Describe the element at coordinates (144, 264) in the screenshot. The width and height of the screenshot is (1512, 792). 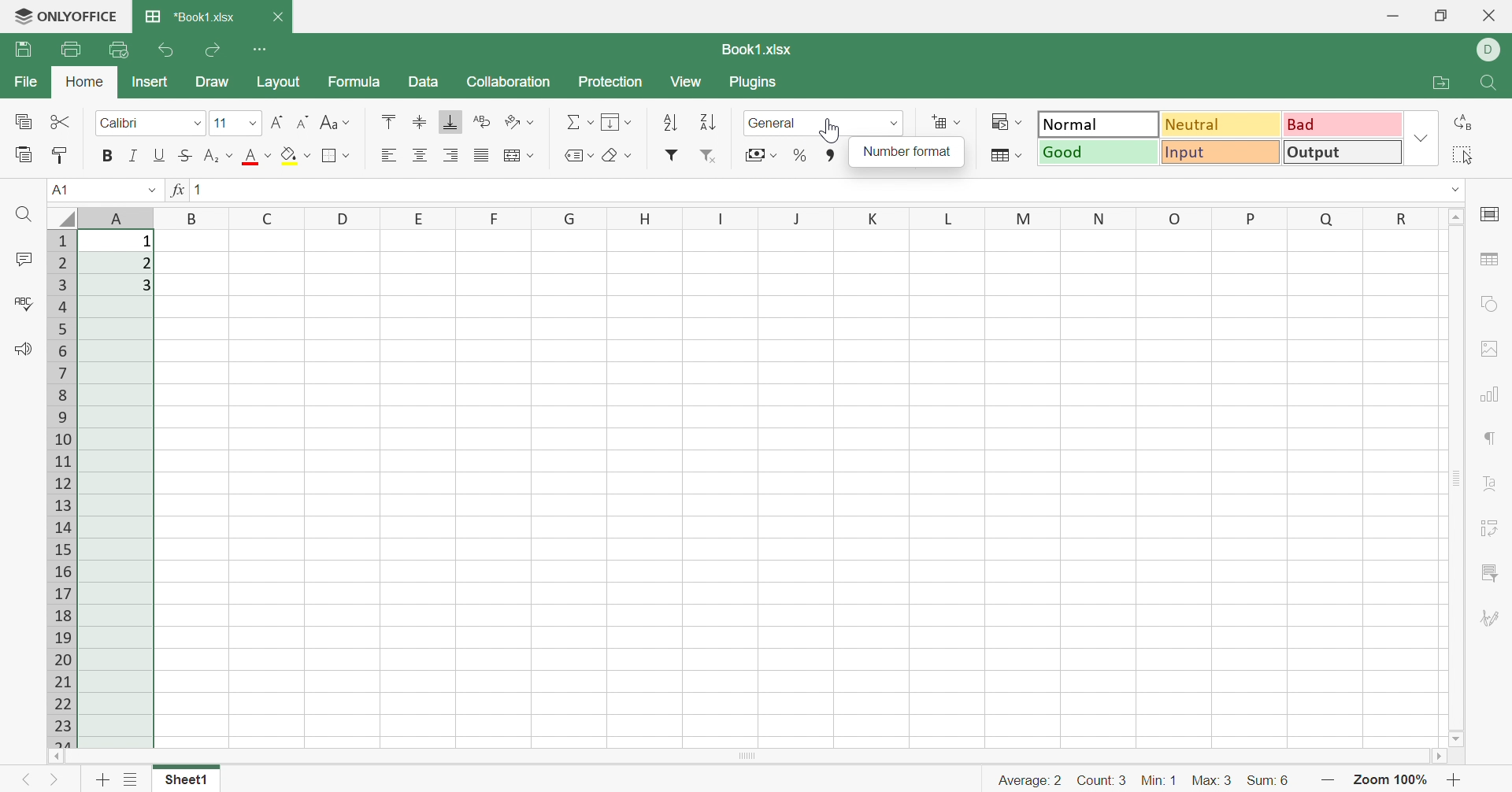
I see `2` at that location.